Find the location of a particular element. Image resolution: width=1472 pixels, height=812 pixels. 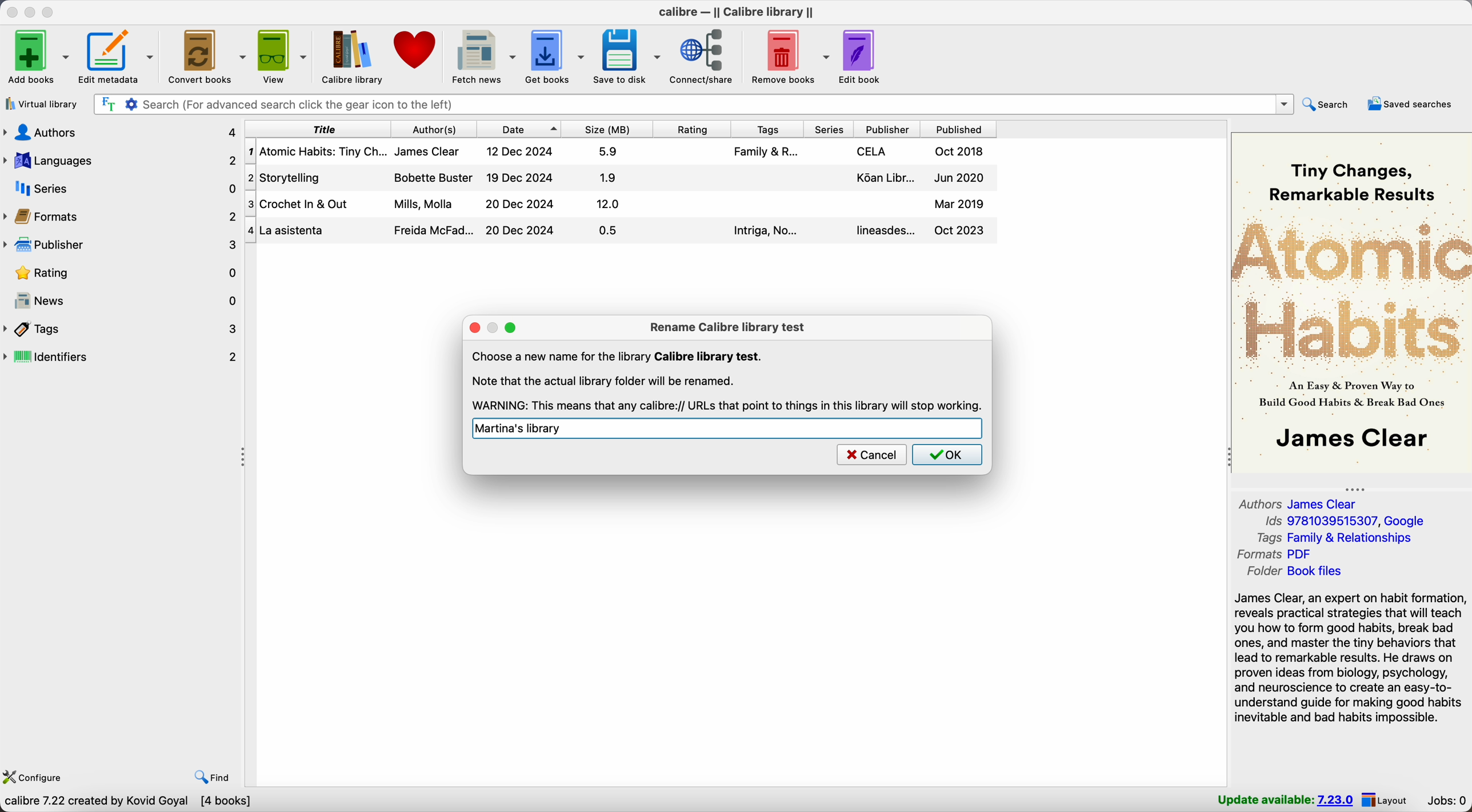

view is located at coordinates (283, 57).